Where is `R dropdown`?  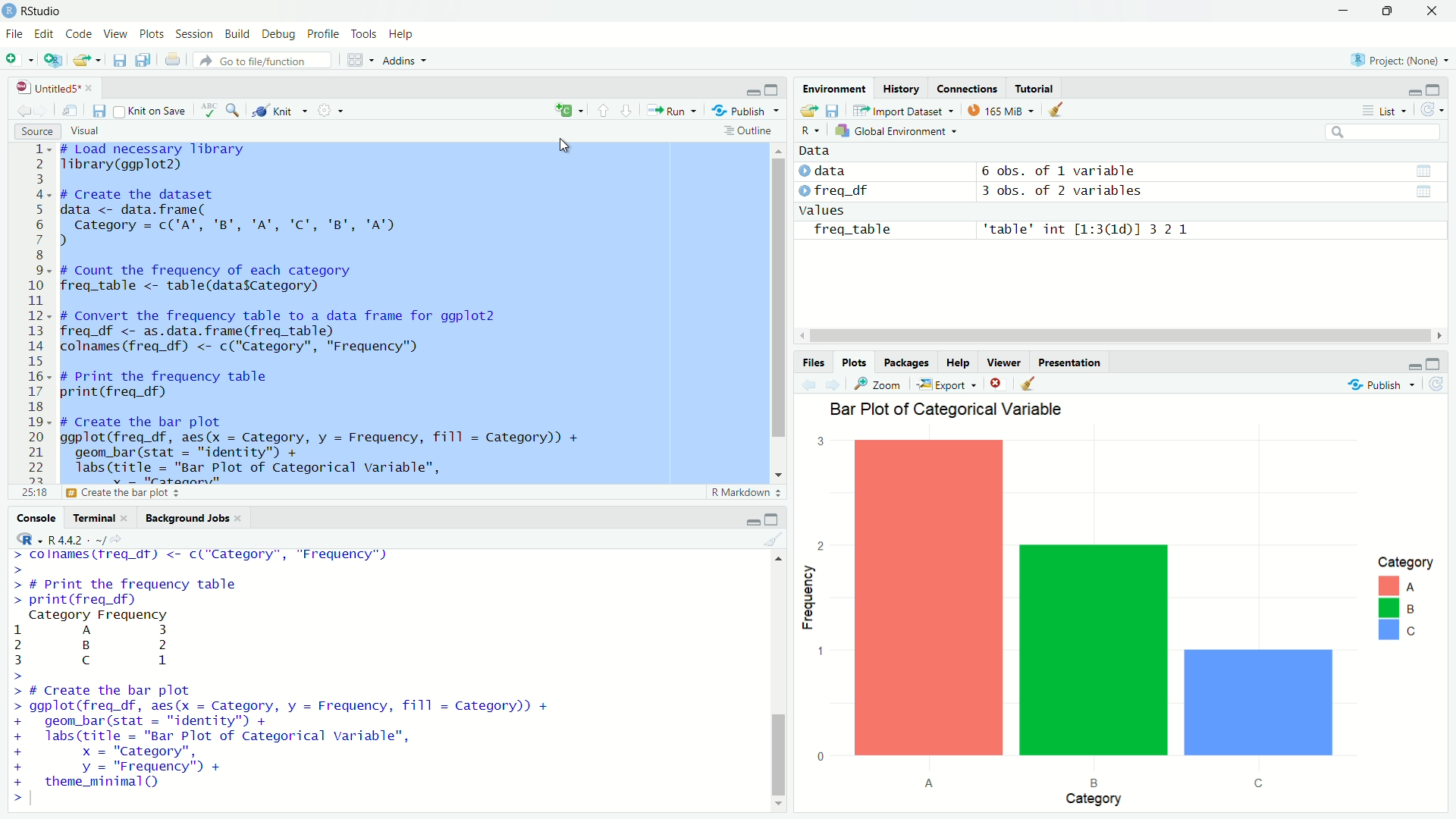 R dropdown is located at coordinates (811, 131).